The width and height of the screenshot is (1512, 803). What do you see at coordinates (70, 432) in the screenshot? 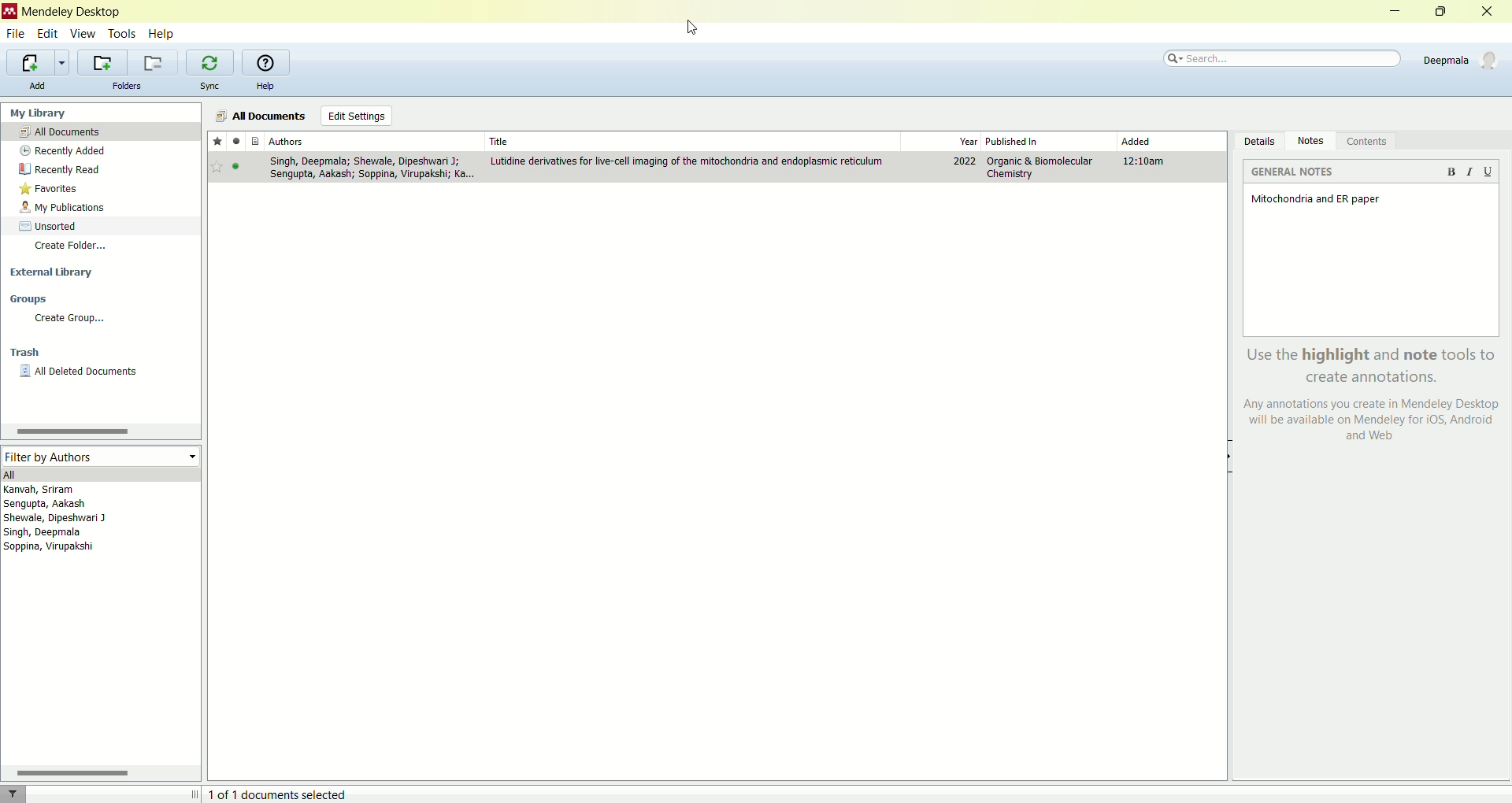
I see `Scrollbar` at bounding box center [70, 432].